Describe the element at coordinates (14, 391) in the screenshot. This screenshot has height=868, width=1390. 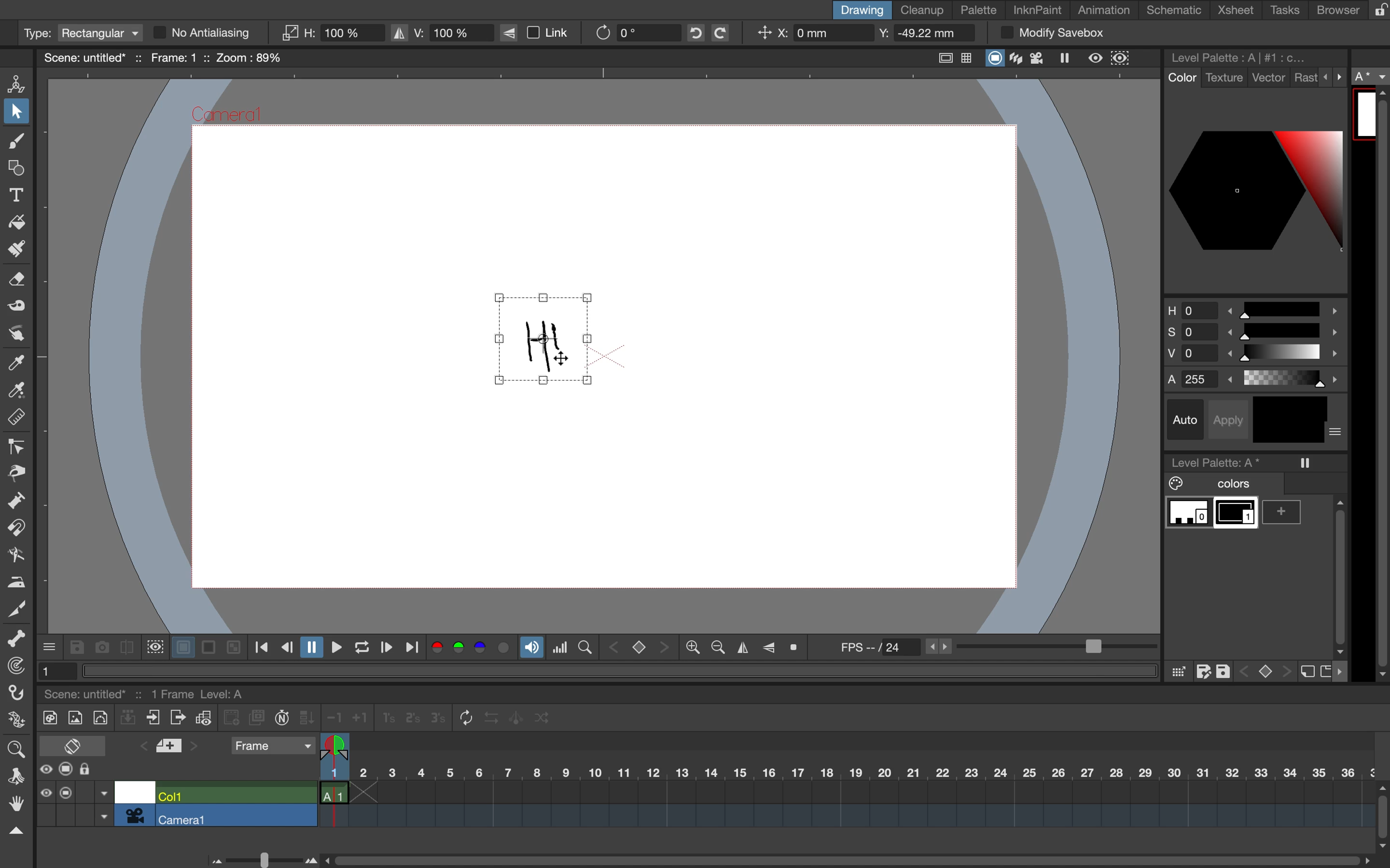
I see `rgb picker tool` at that location.